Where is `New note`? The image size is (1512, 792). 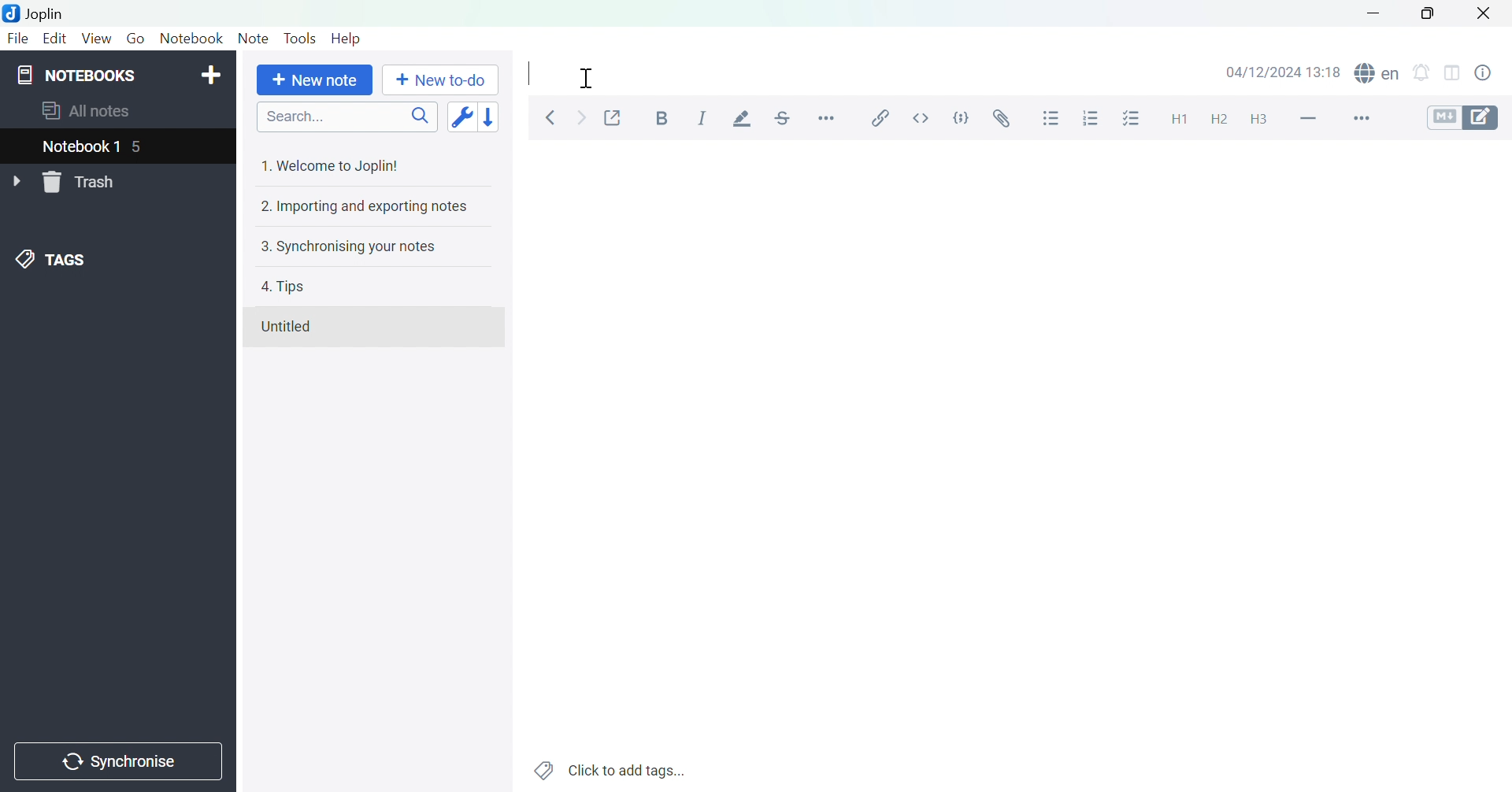
New note is located at coordinates (314, 81).